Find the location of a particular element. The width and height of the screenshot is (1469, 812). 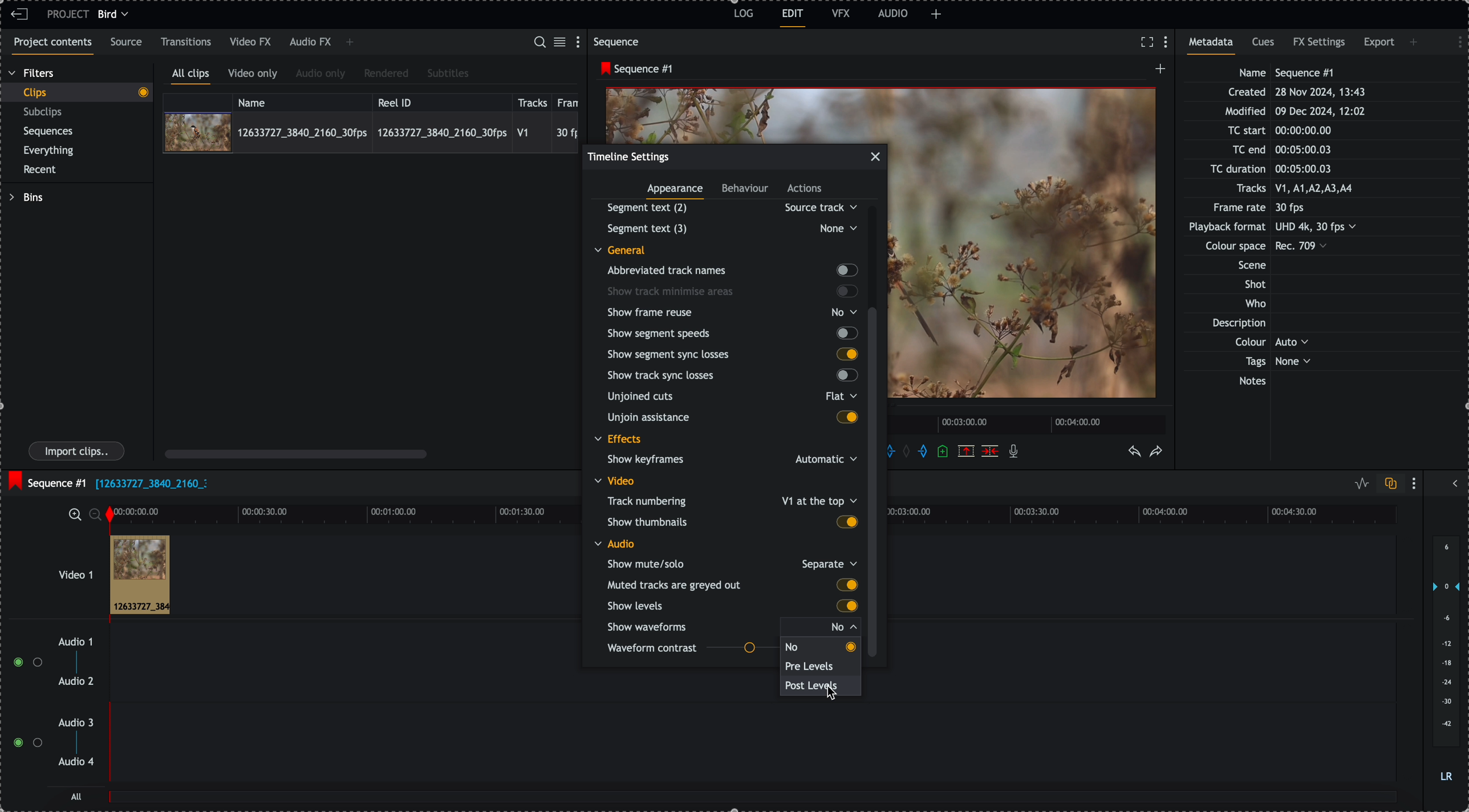

show track sync losses is located at coordinates (729, 376).